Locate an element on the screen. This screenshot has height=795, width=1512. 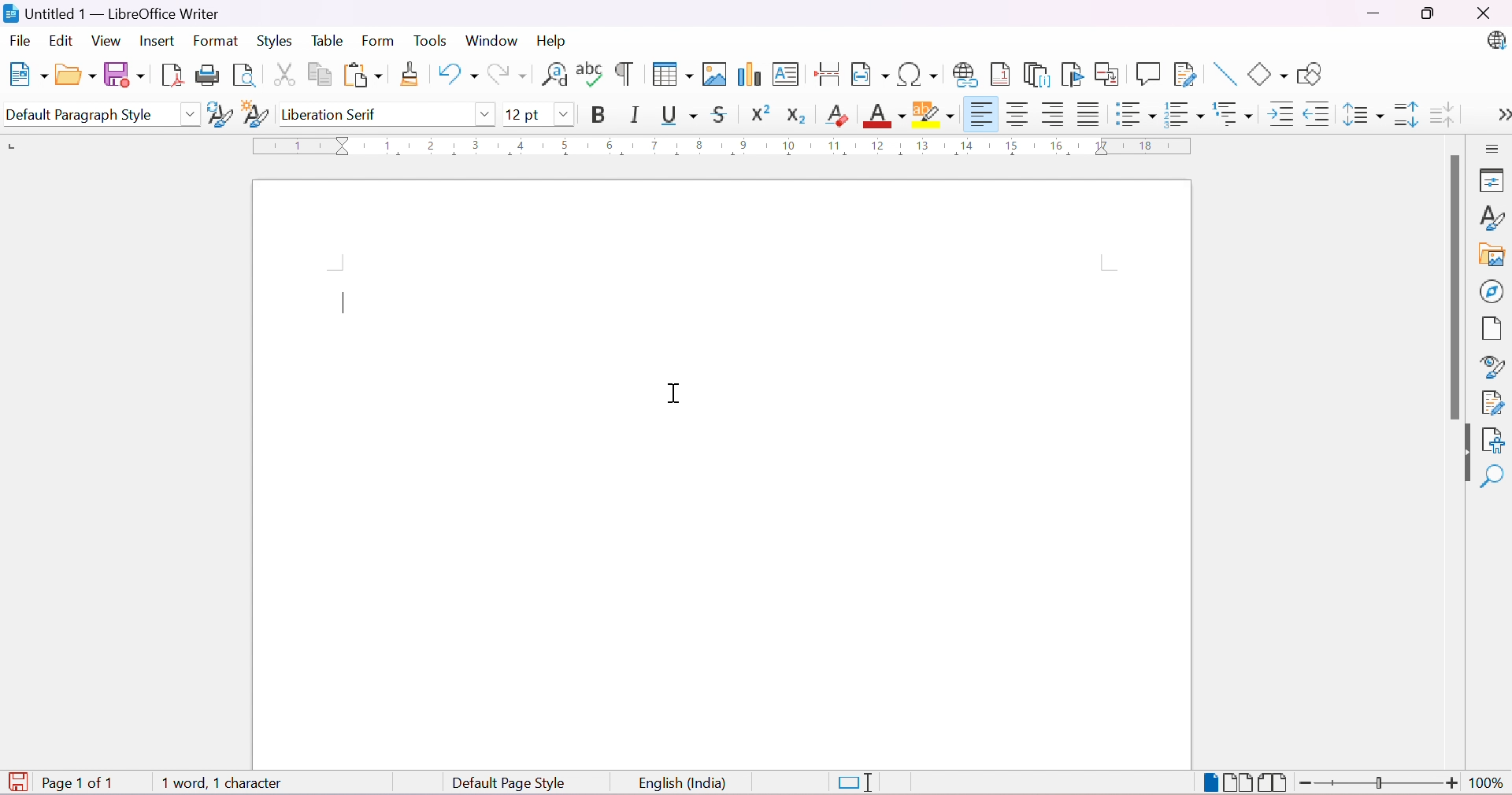
100% is located at coordinates (1488, 786).